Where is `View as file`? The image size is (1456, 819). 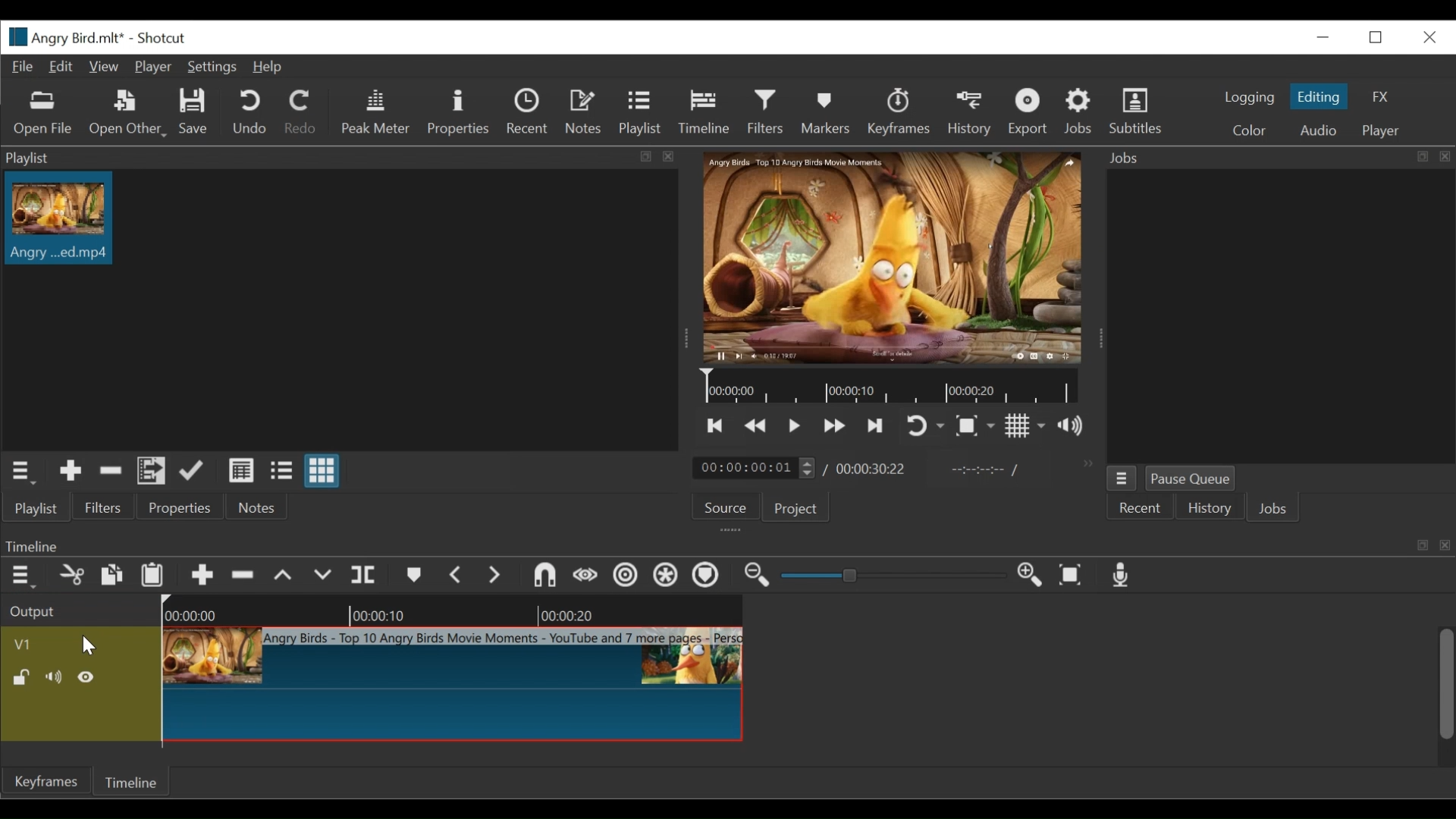
View as file is located at coordinates (281, 471).